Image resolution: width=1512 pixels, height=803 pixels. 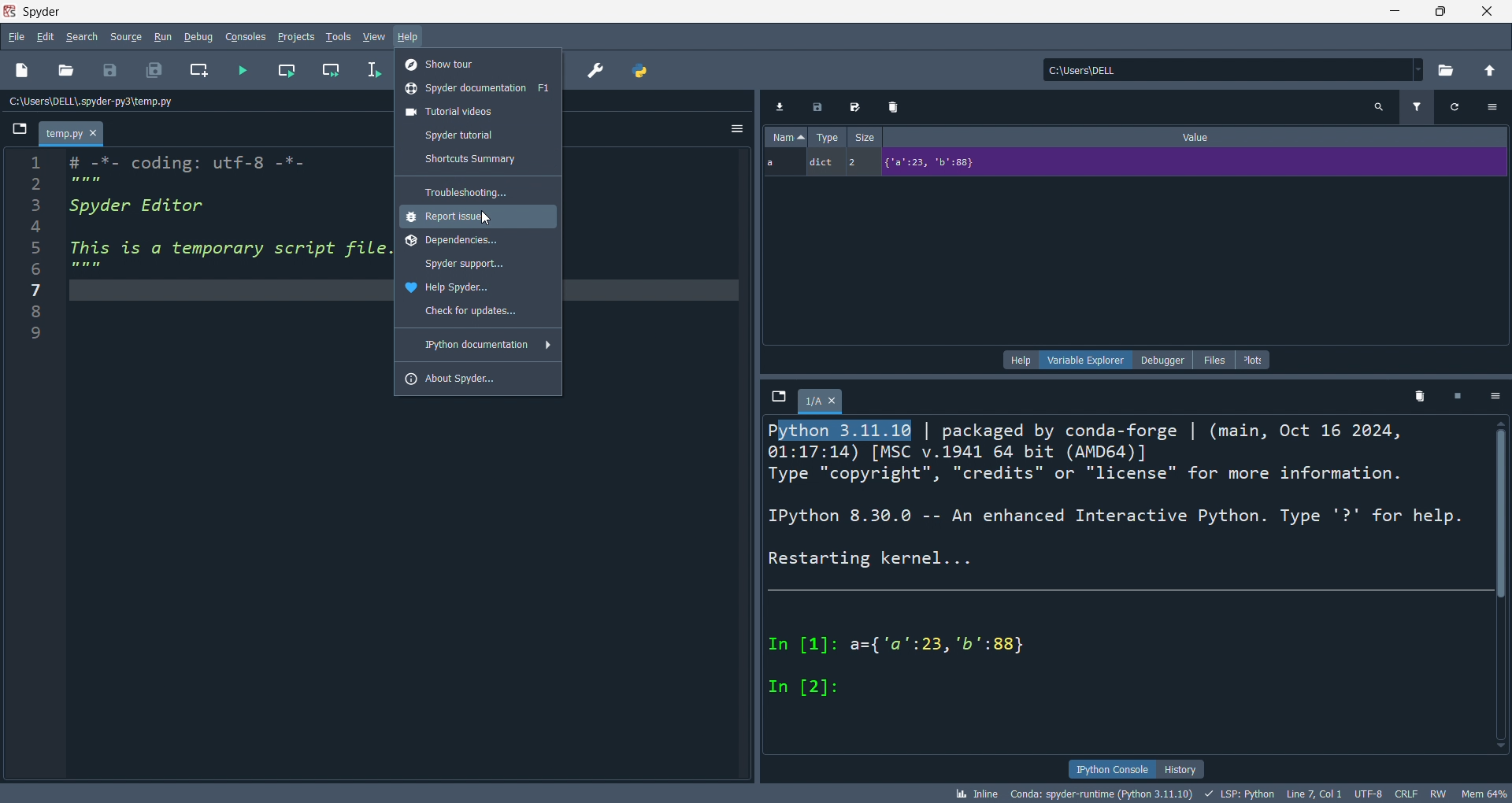 I want to click on about, so click(x=480, y=379).